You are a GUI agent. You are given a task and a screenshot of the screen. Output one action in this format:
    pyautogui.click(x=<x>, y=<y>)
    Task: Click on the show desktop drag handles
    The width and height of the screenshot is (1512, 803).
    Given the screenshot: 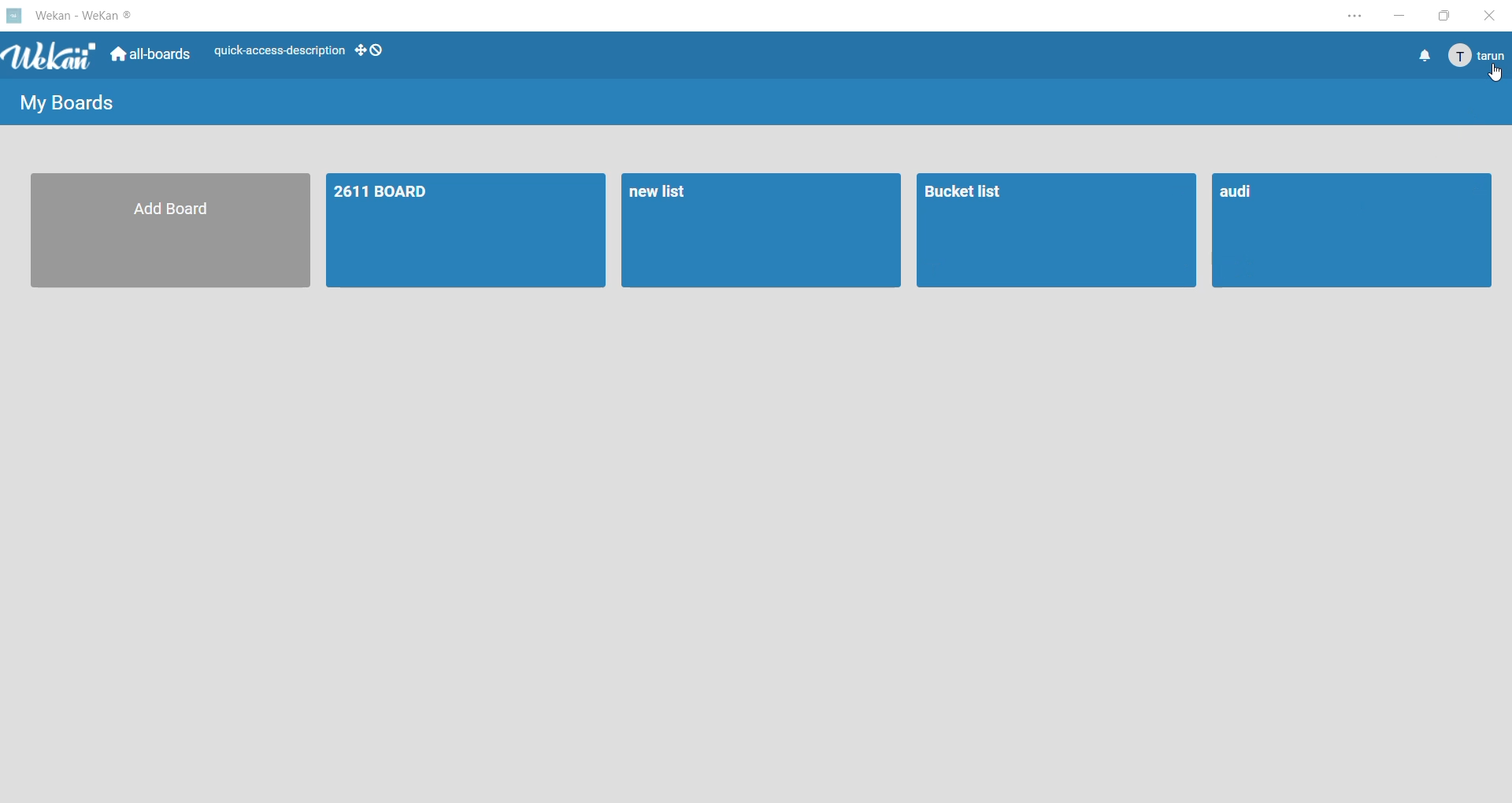 What is the action you would take?
    pyautogui.click(x=371, y=48)
    